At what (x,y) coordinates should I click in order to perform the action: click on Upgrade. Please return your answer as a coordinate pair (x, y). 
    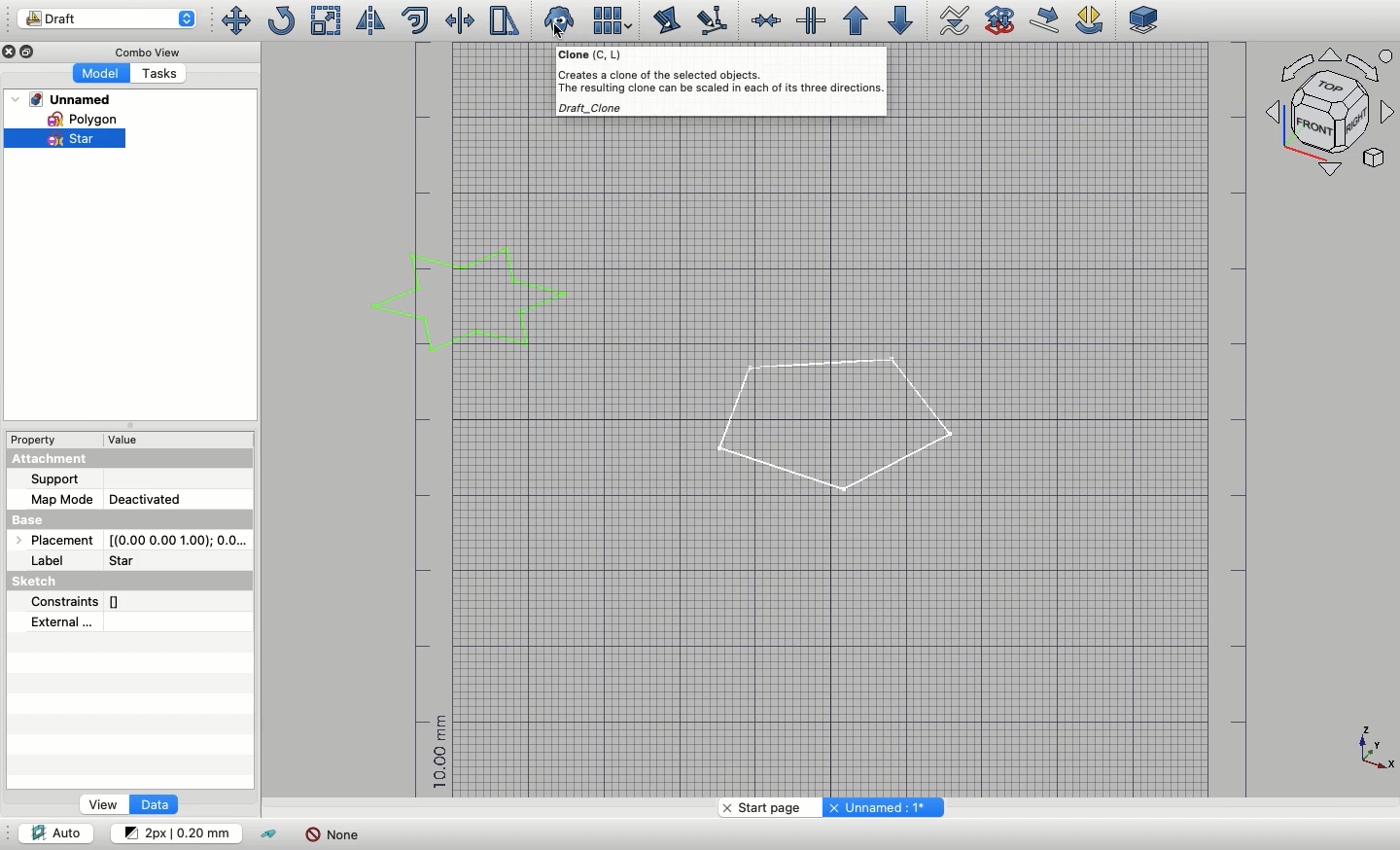
    Looking at the image, I should click on (856, 21).